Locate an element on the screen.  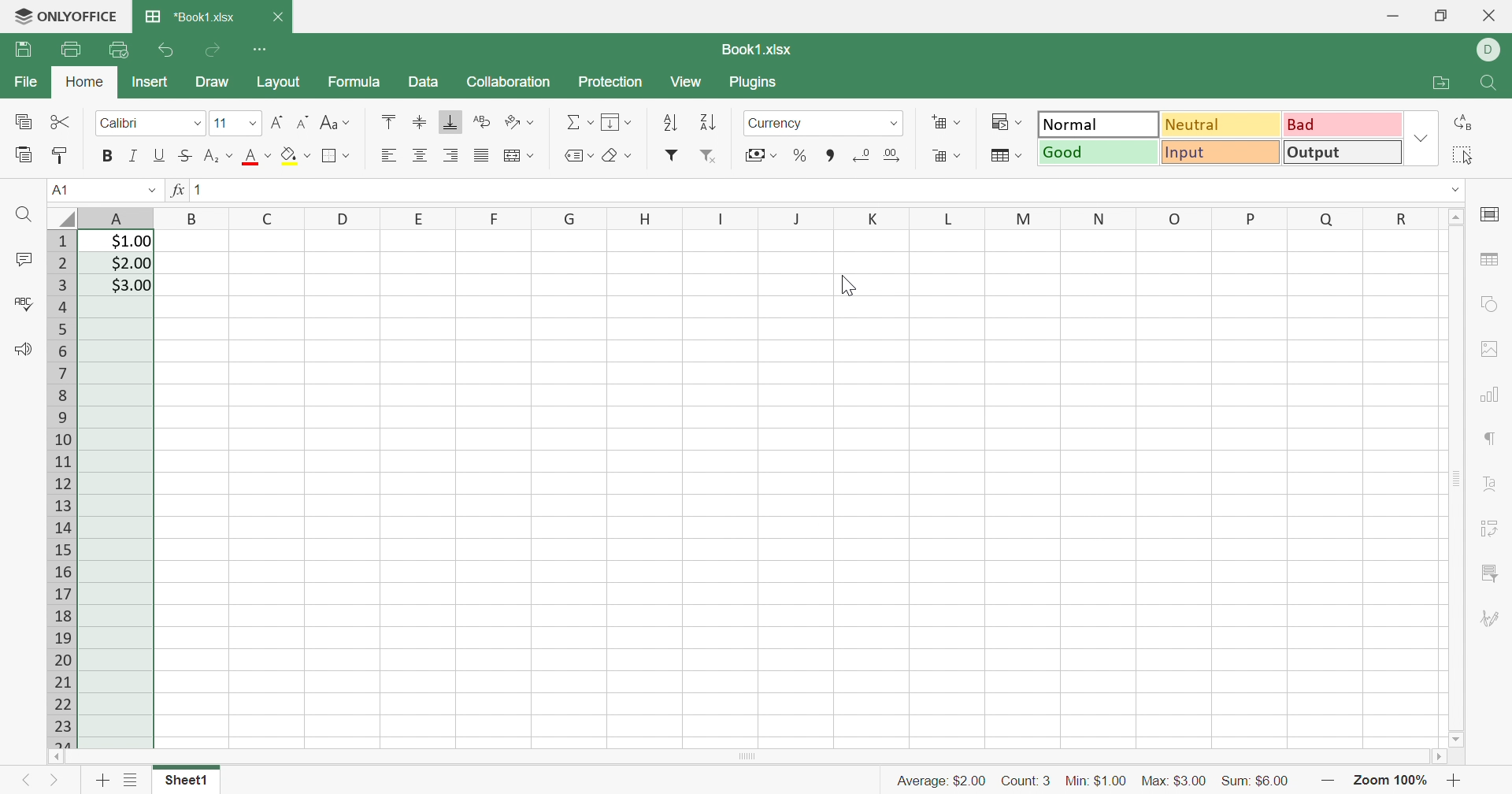
Replace is located at coordinates (1466, 122).